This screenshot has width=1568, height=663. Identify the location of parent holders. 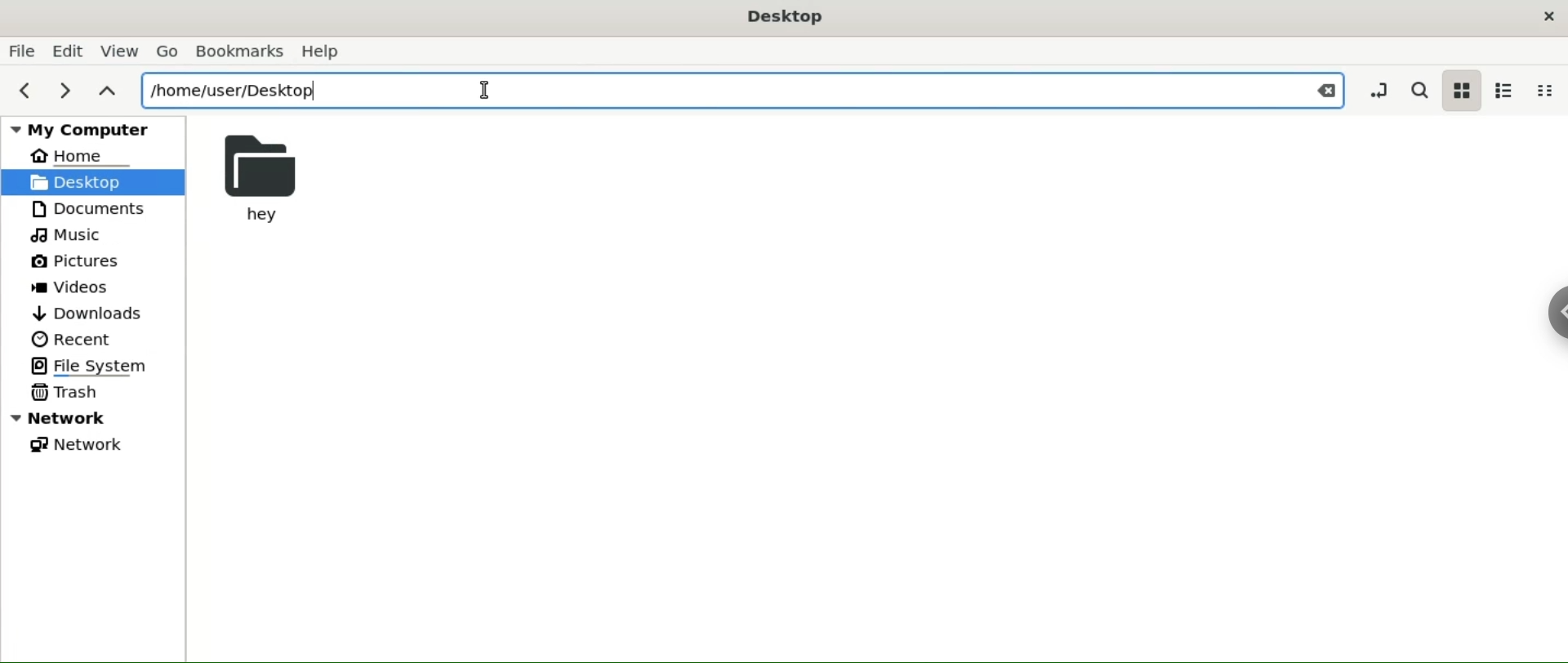
(105, 91).